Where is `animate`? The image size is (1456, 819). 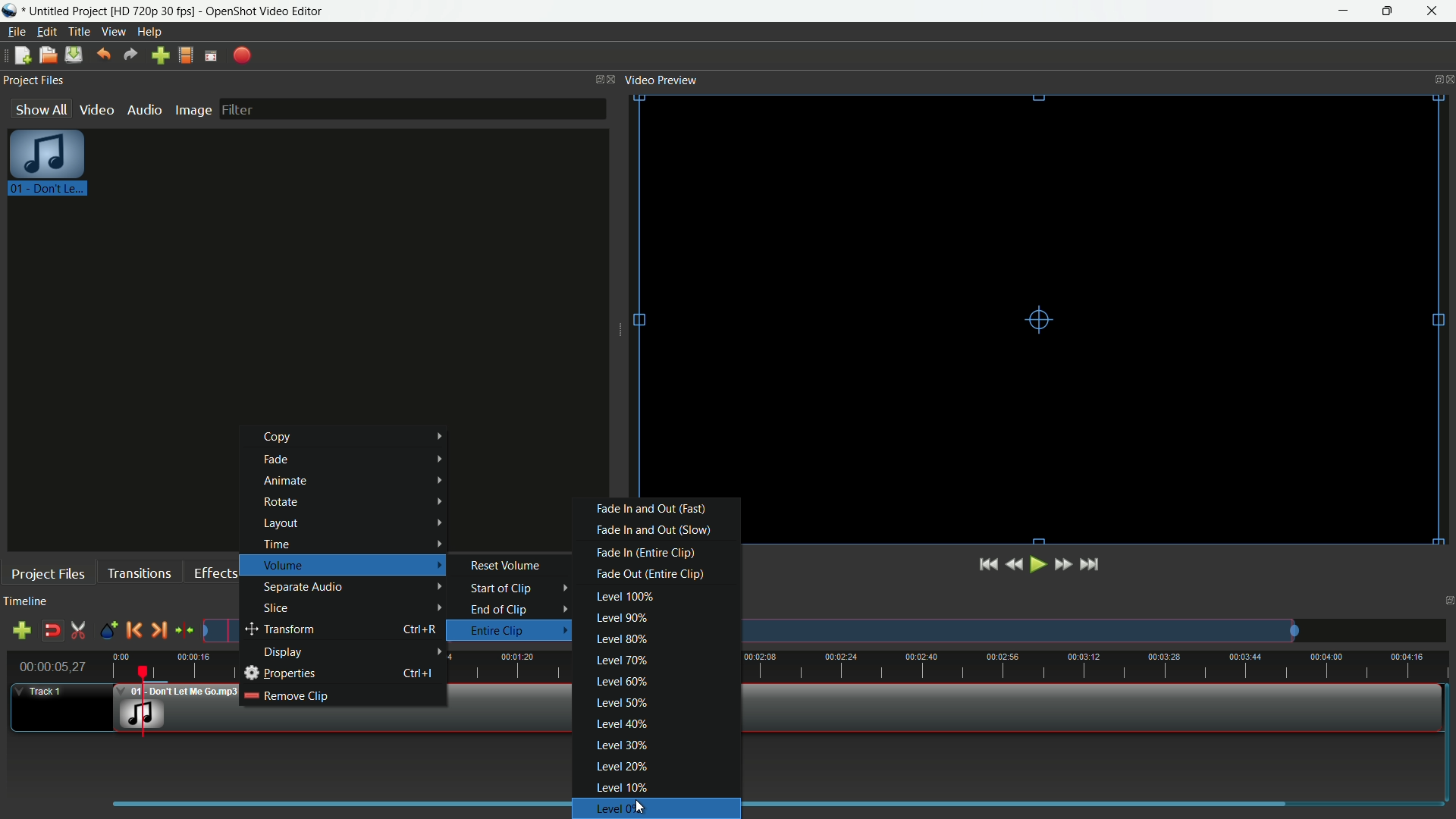
animate is located at coordinates (354, 481).